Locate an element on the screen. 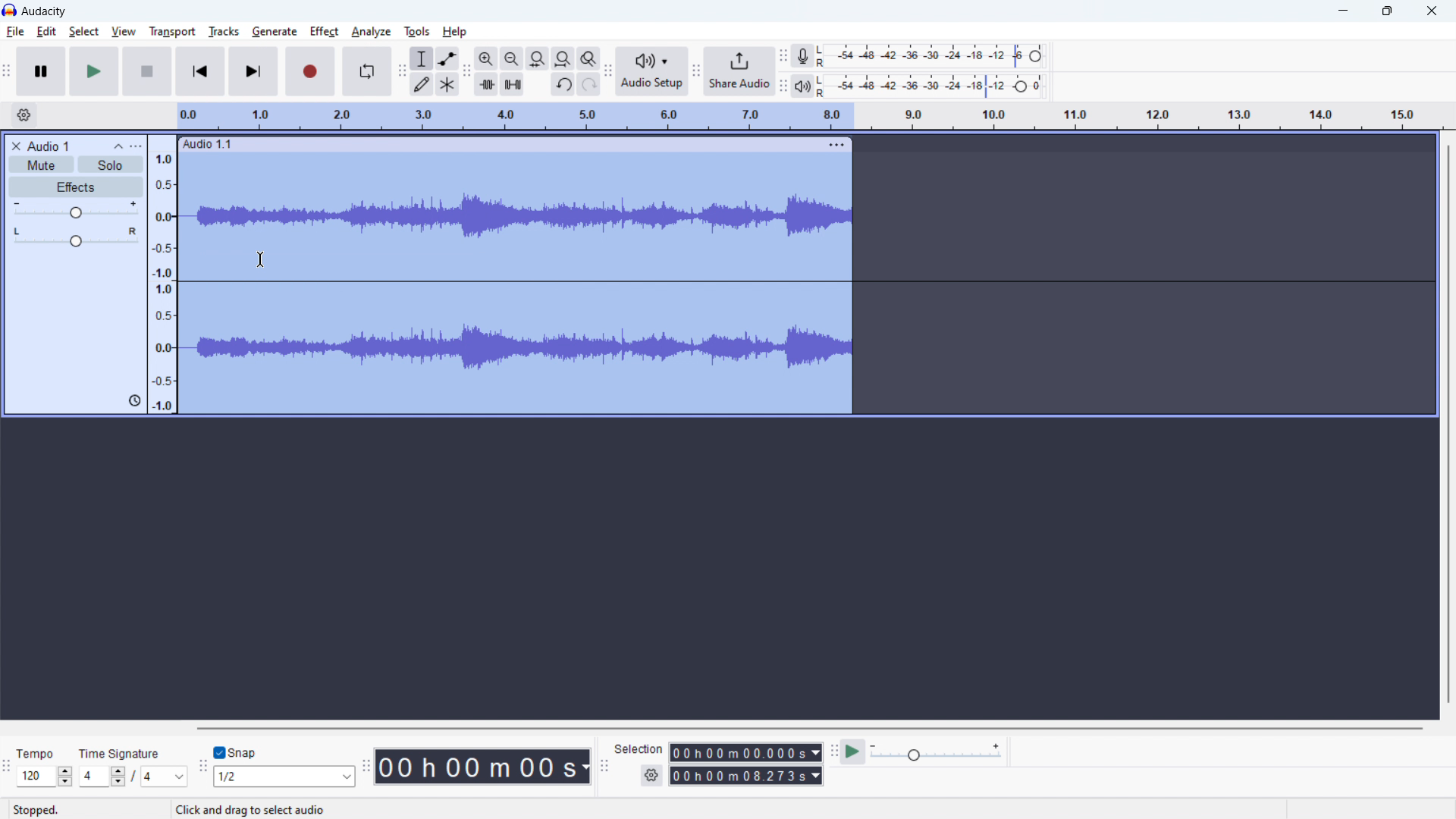 This screenshot has height=819, width=1456. timestamp is located at coordinates (483, 767).